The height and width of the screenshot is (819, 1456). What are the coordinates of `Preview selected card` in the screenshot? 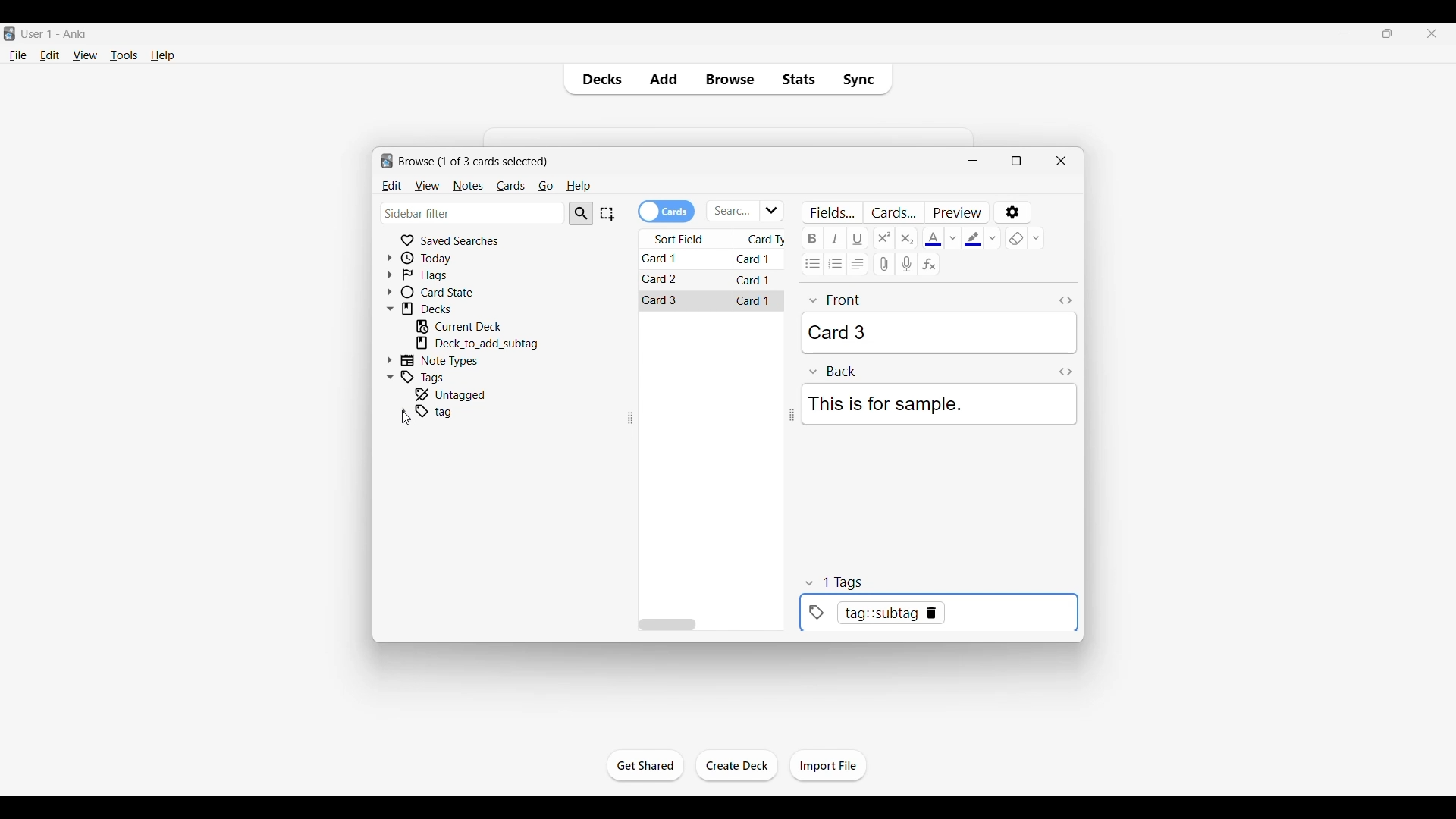 It's located at (956, 212).